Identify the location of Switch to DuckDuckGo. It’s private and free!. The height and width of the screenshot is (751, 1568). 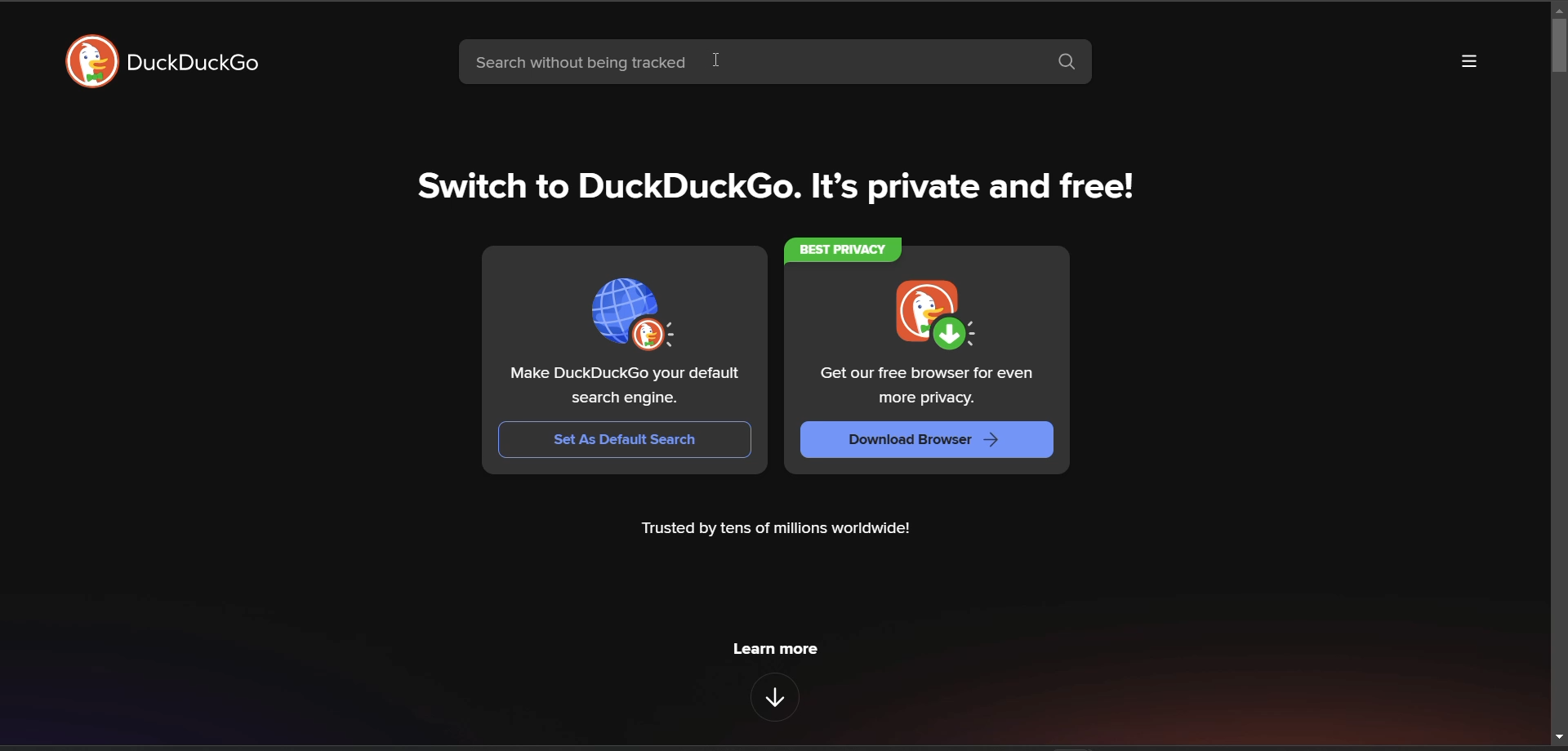
(776, 186).